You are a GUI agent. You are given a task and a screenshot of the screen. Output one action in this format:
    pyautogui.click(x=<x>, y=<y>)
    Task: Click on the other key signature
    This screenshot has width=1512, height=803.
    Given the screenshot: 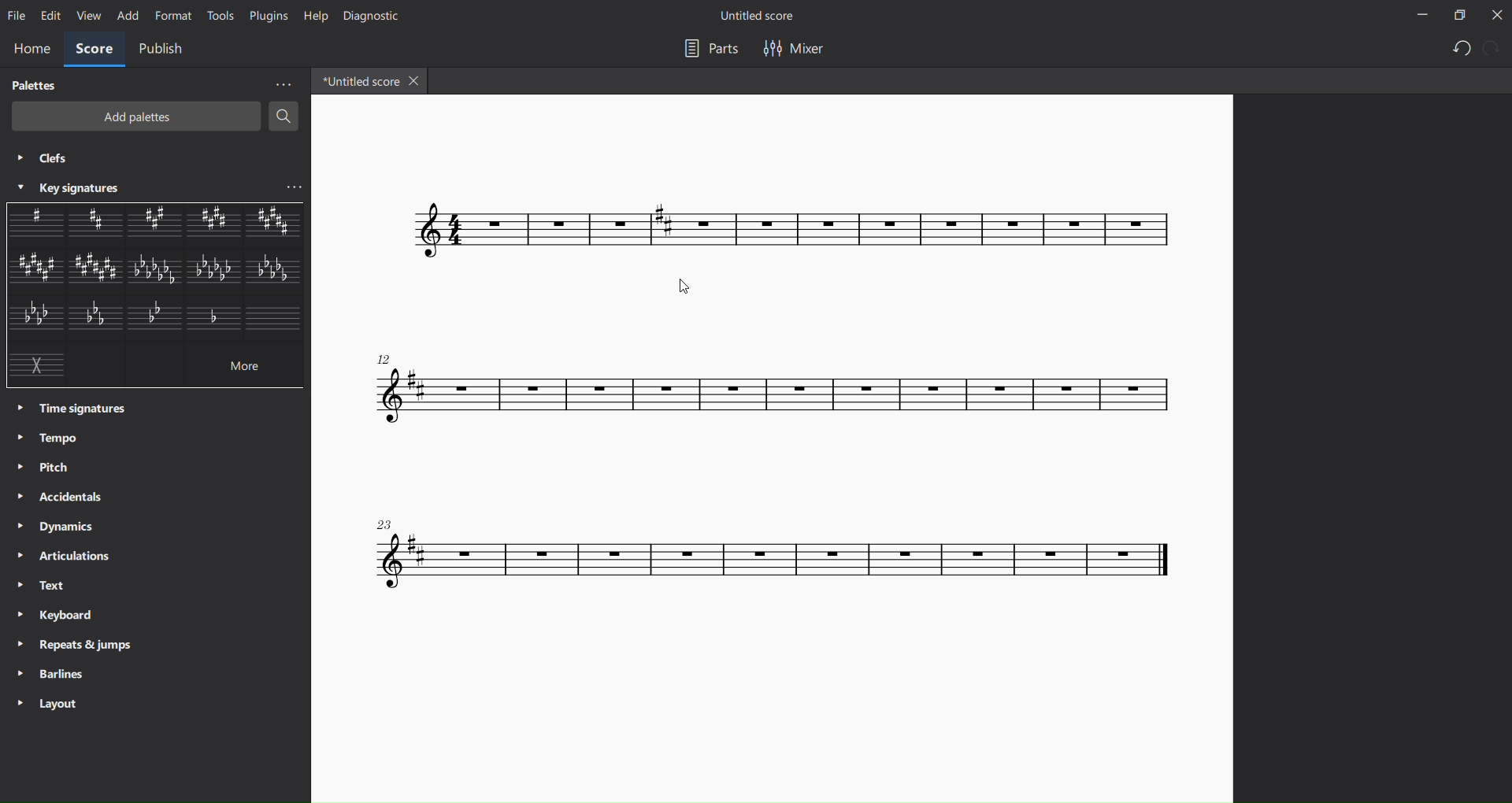 What is the action you would take?
    pyautogui.click(x=215, y=319)
    